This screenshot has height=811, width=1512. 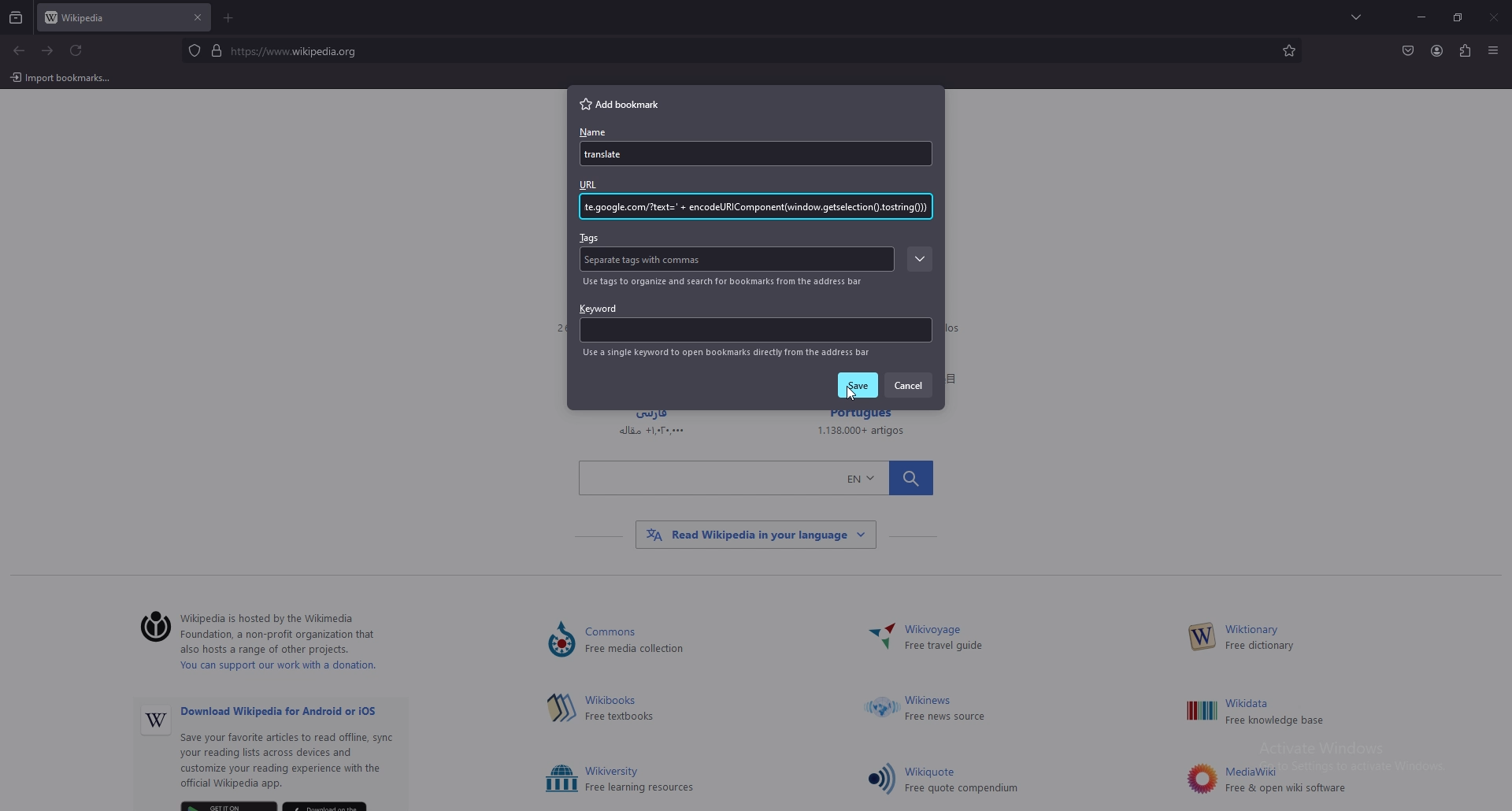 What do you see at coordinates (218, 50) in the screenshot?
I see `digicert verified` at bounding box center [218, 50].